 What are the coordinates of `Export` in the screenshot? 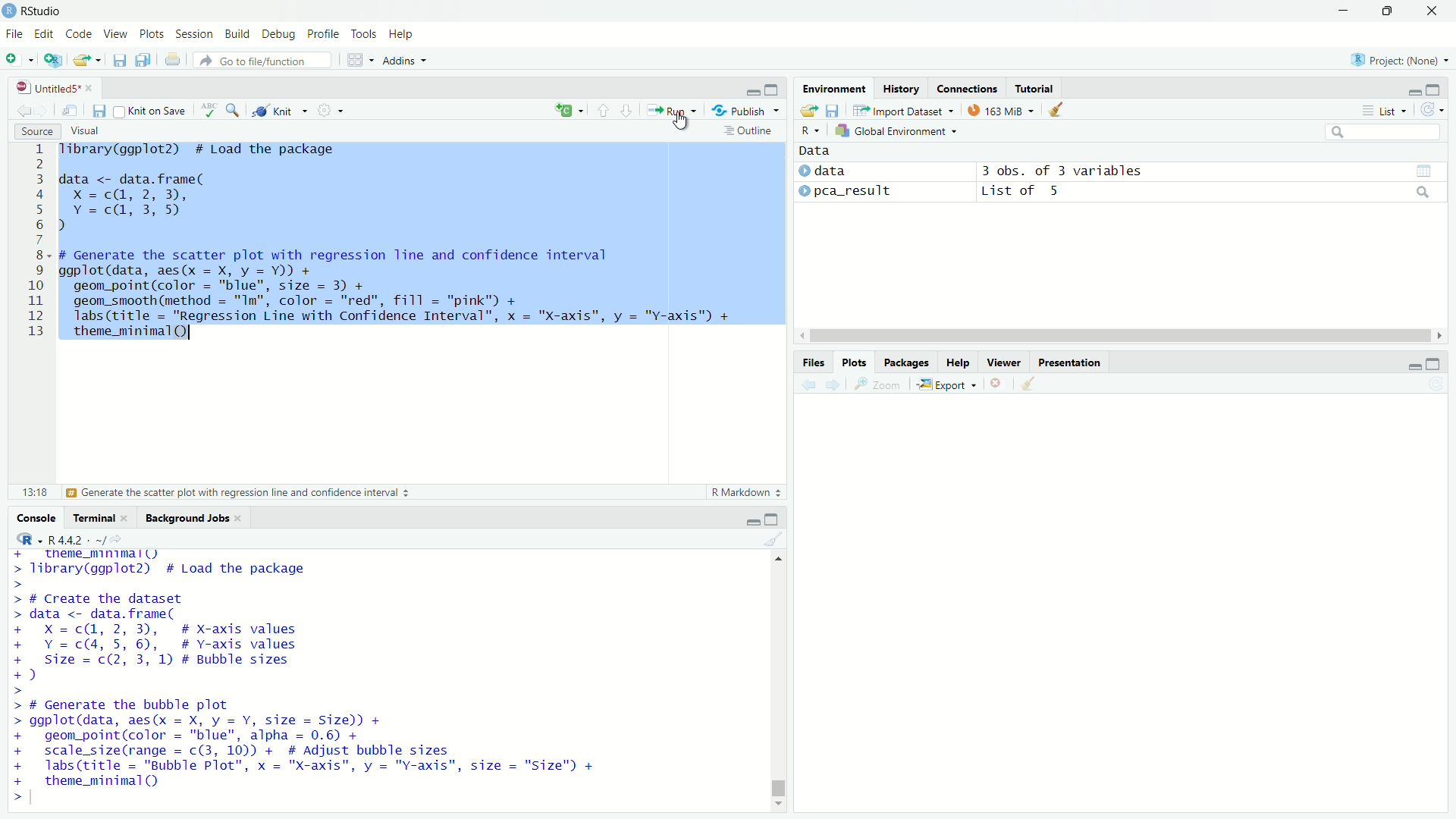 It's located at (948, 384).